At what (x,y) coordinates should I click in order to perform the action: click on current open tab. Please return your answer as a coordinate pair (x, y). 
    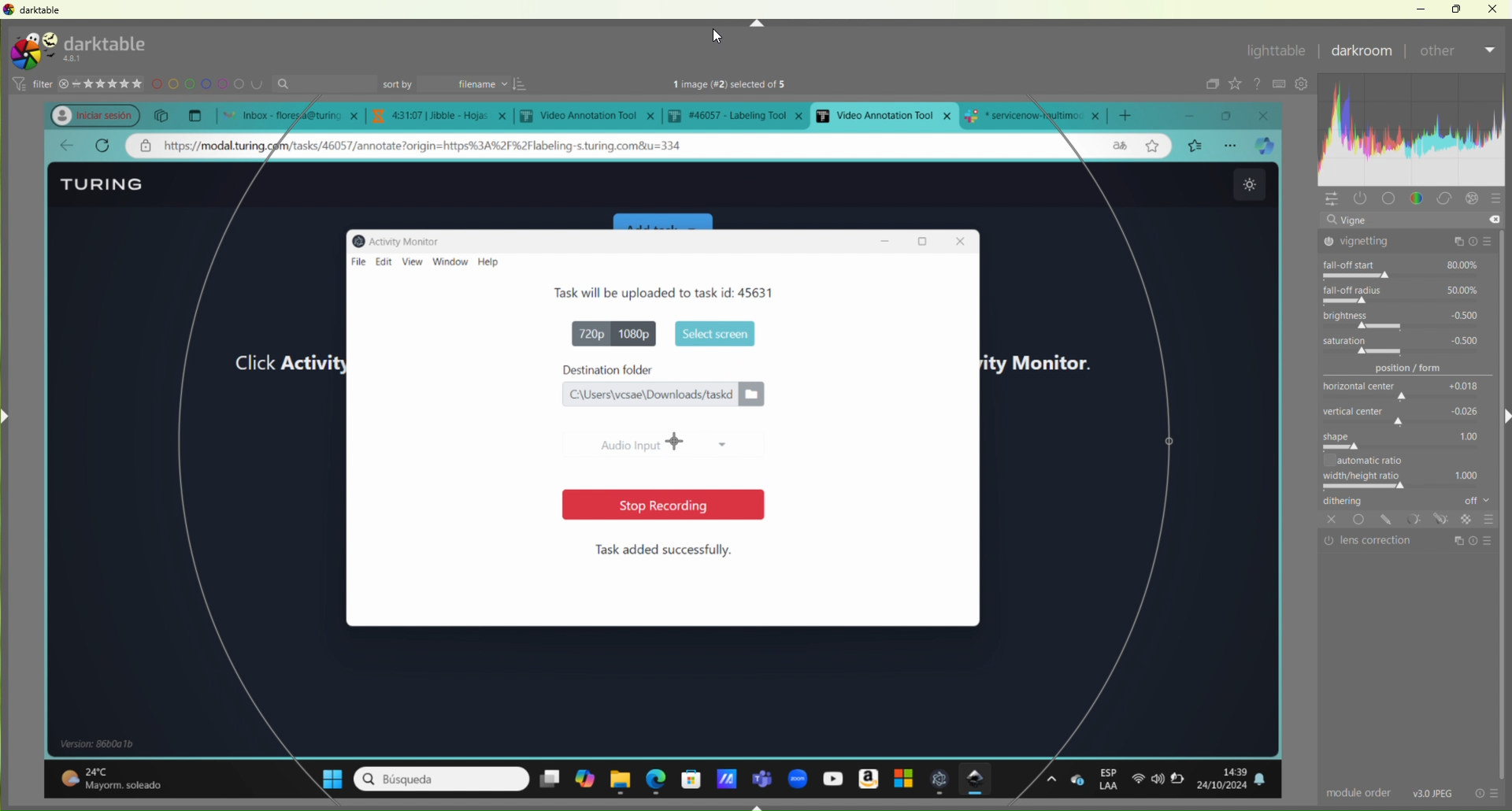
    Looking at the image, I should click on (884, 115).